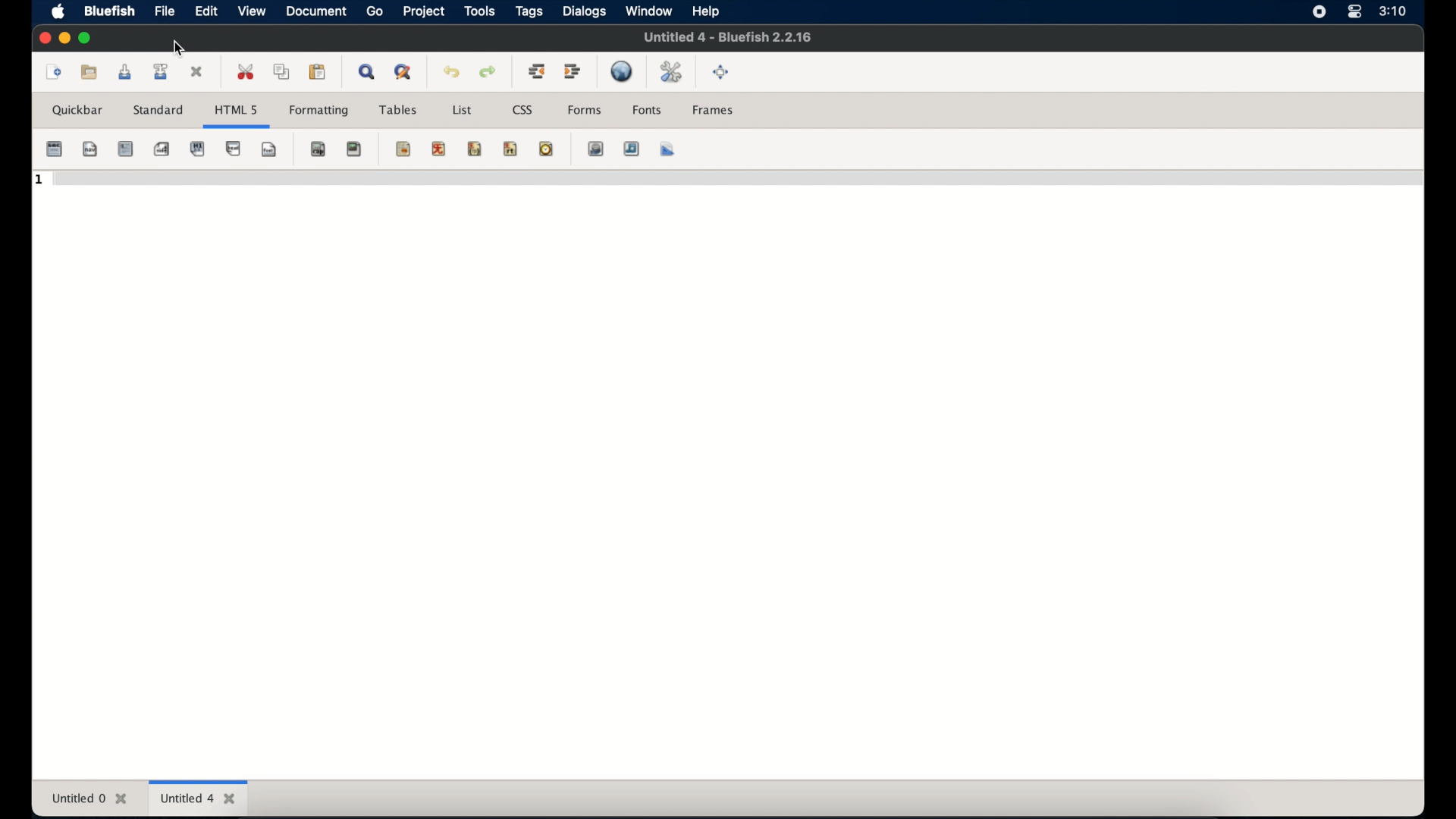 The image size is (1456, 819). I want to click on frames, so click(714, 110).